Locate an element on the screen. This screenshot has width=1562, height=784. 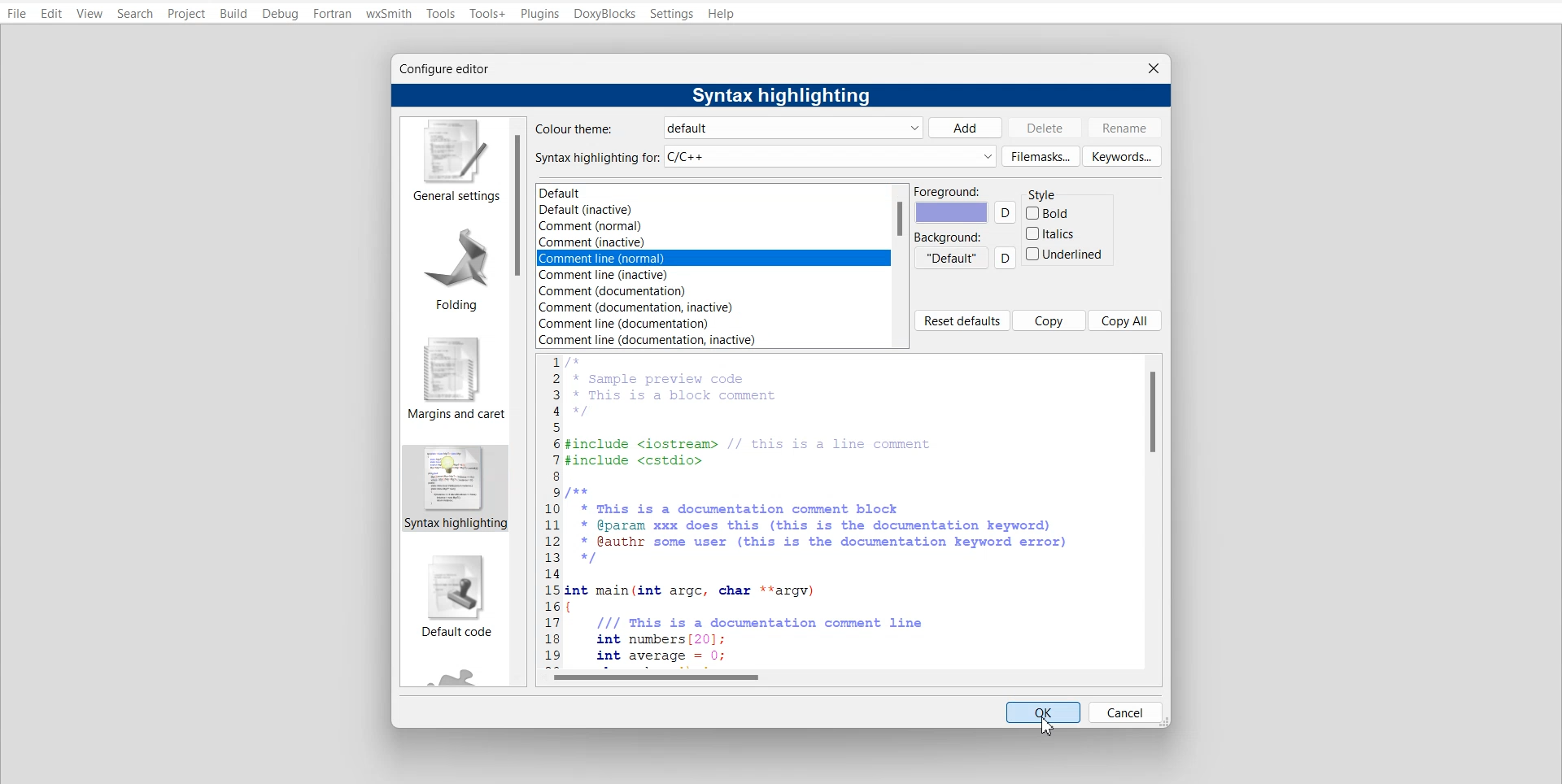
Tools+ is located at coordinates (489, 12).